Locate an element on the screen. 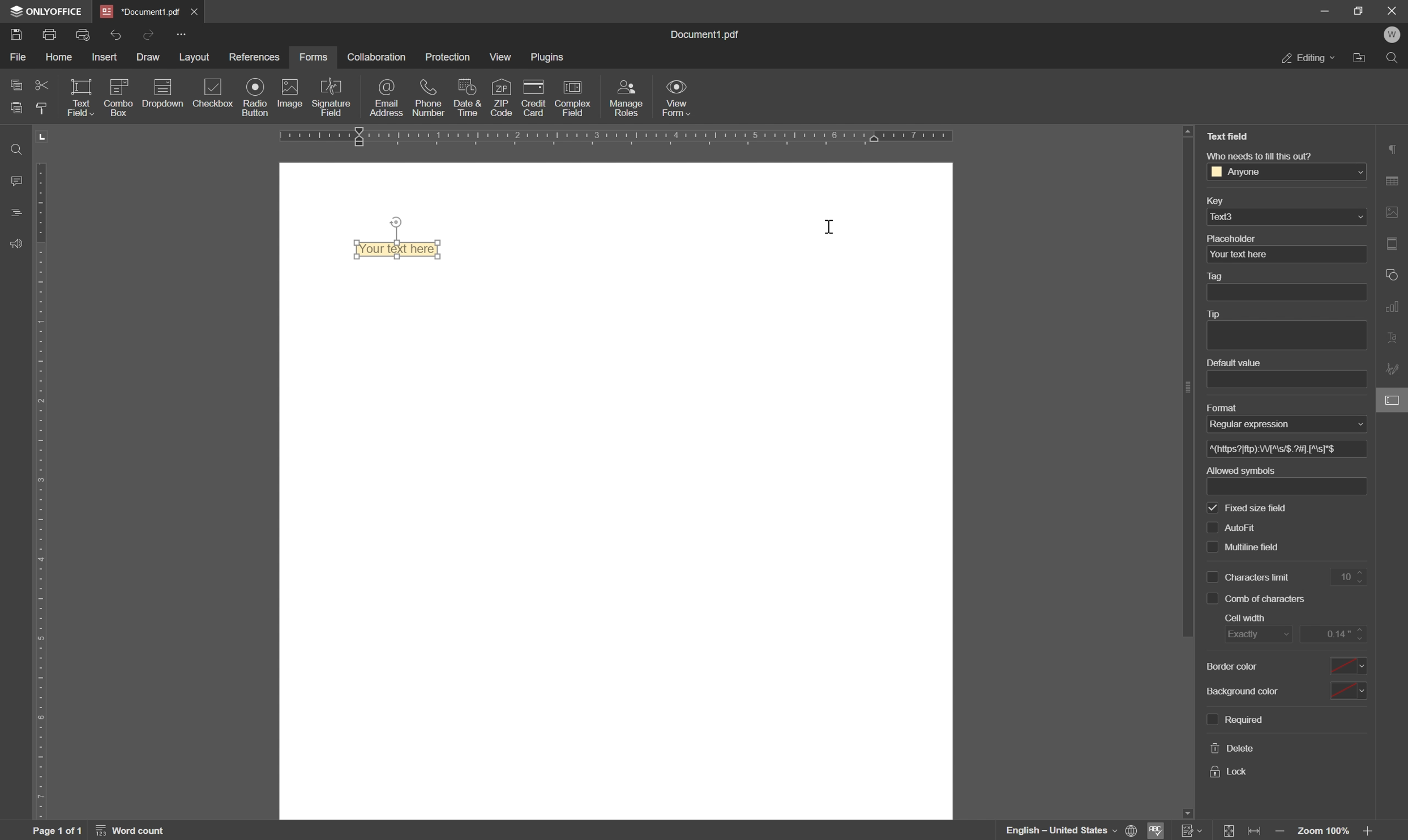  shape settings is located at coordinates (1393, 274).